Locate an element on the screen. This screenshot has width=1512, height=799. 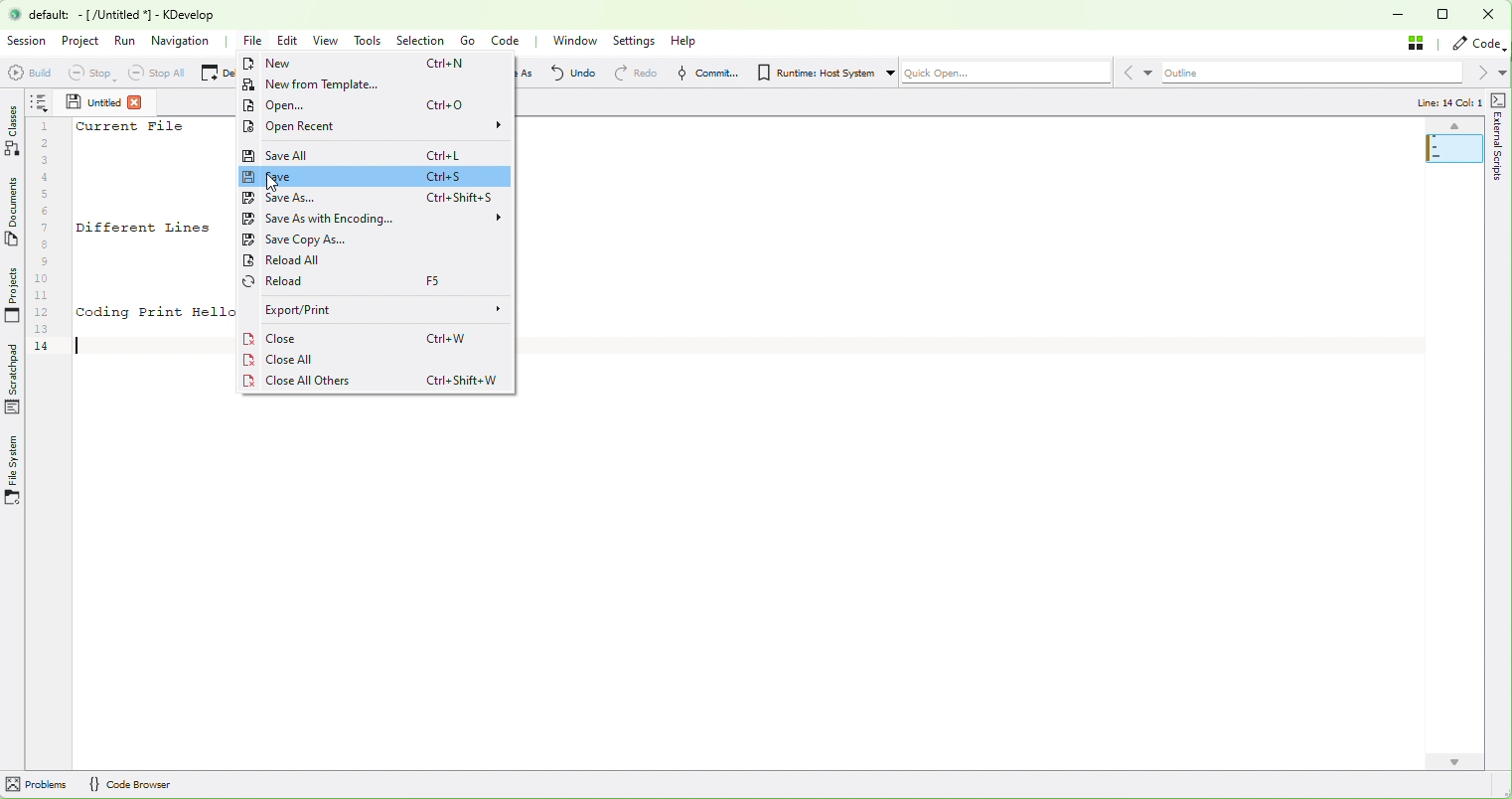
Edit is located at coordinates (291, 41).